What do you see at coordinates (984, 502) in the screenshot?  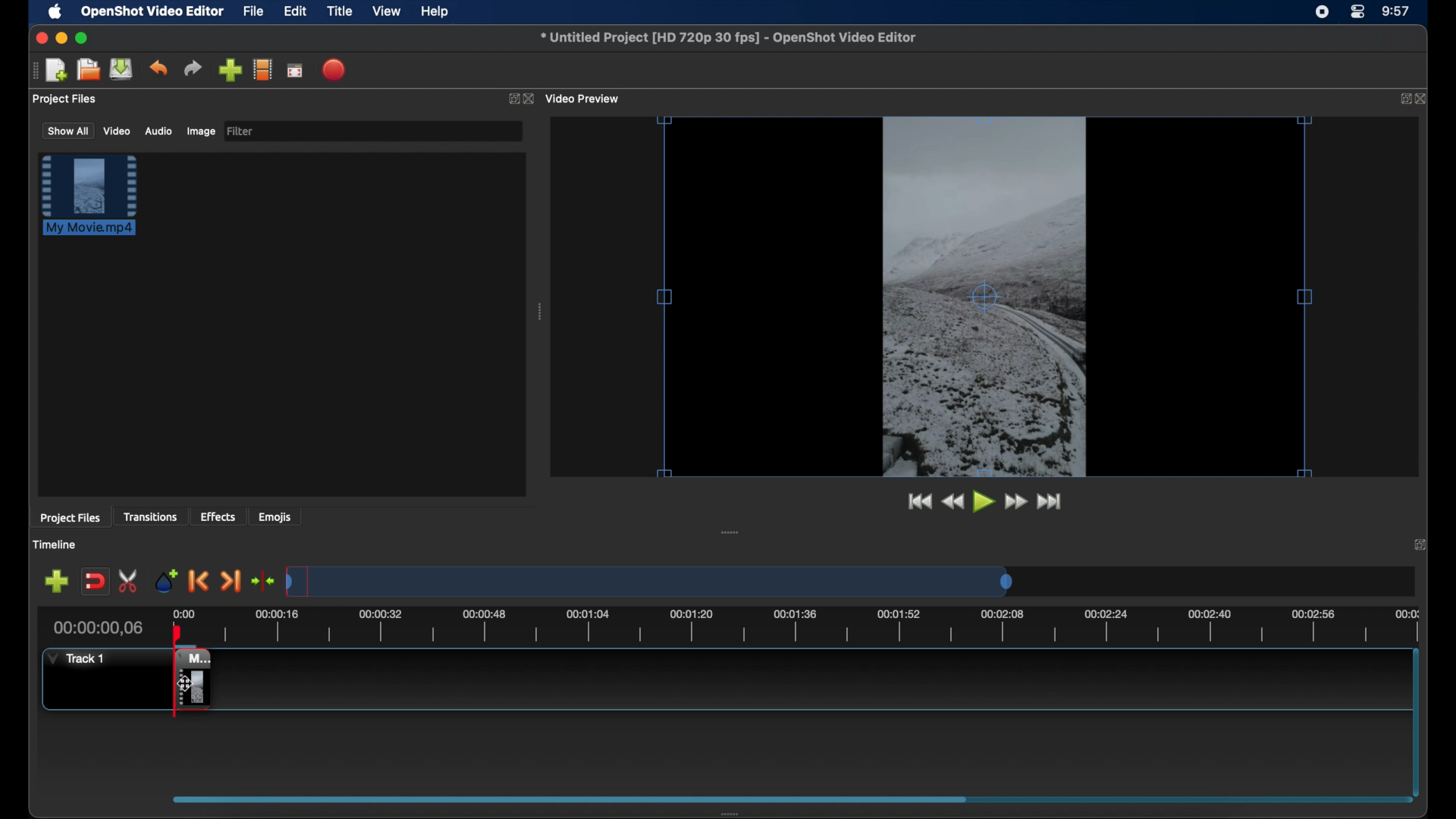 I see `play` at bounding box center [984, 502].